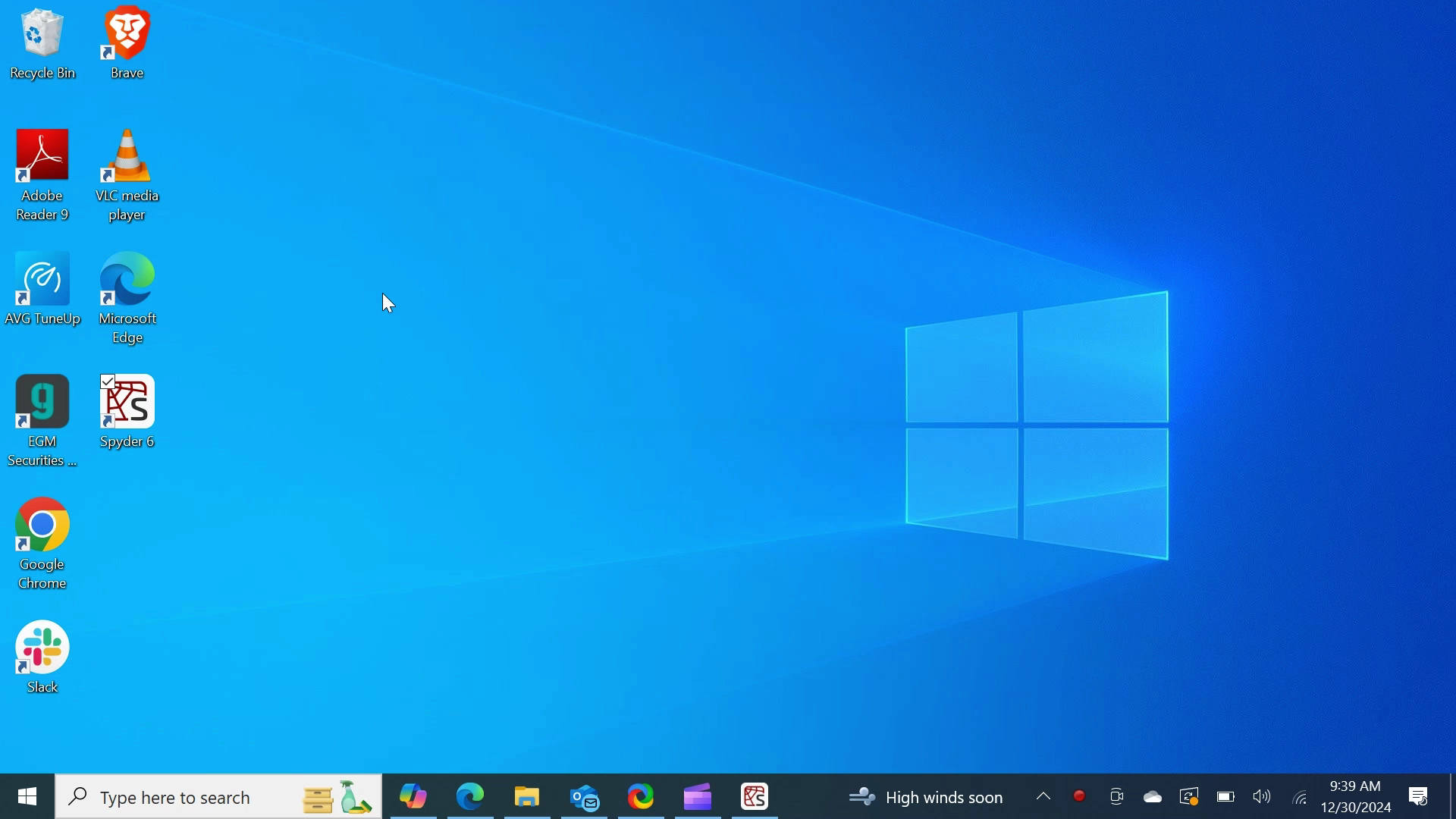  Describe the element at coordinates (26, 796) in the screenshot. I see `start` at that location.